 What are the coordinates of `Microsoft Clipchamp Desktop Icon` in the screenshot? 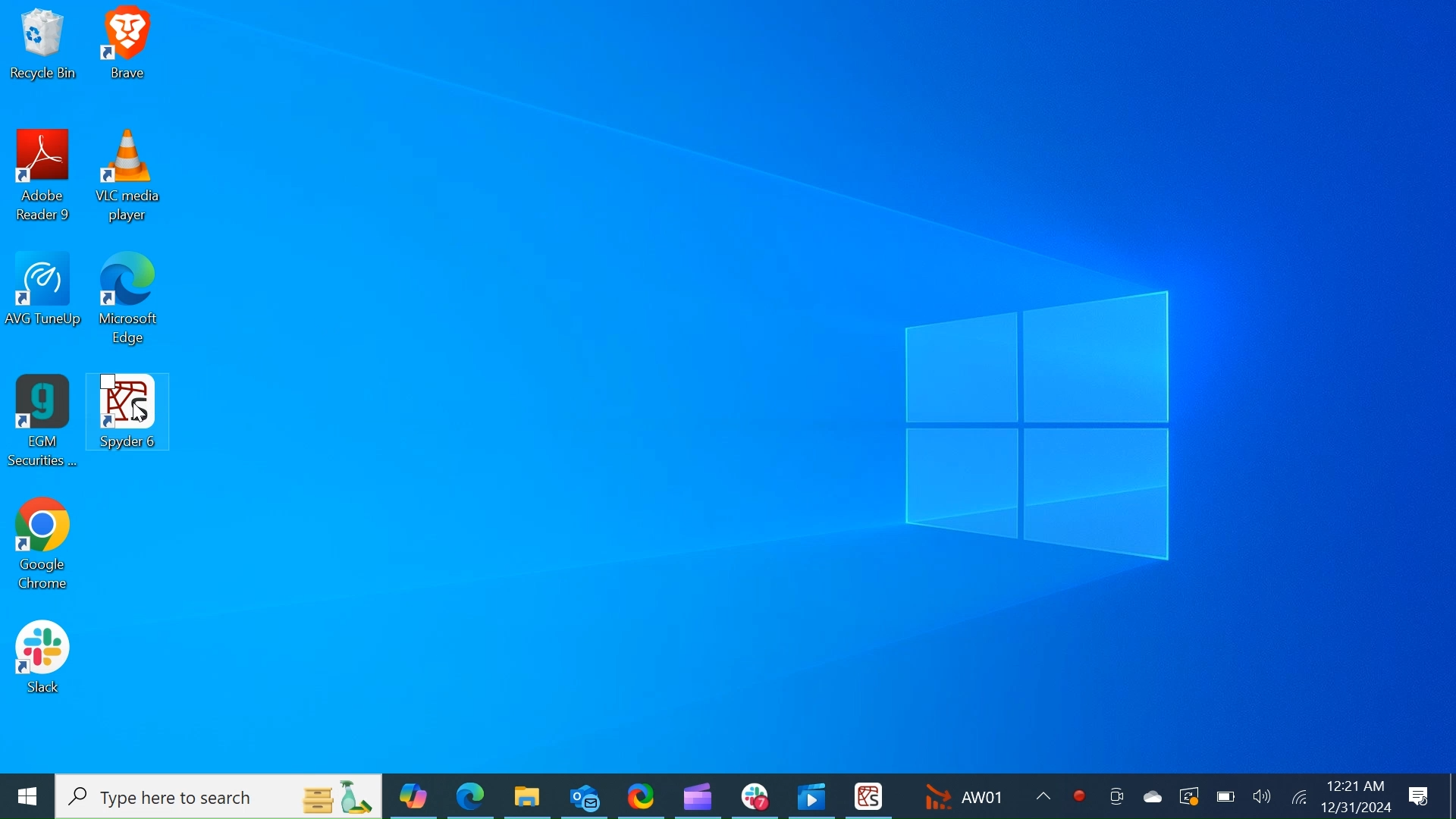 It's located at (699, 795).